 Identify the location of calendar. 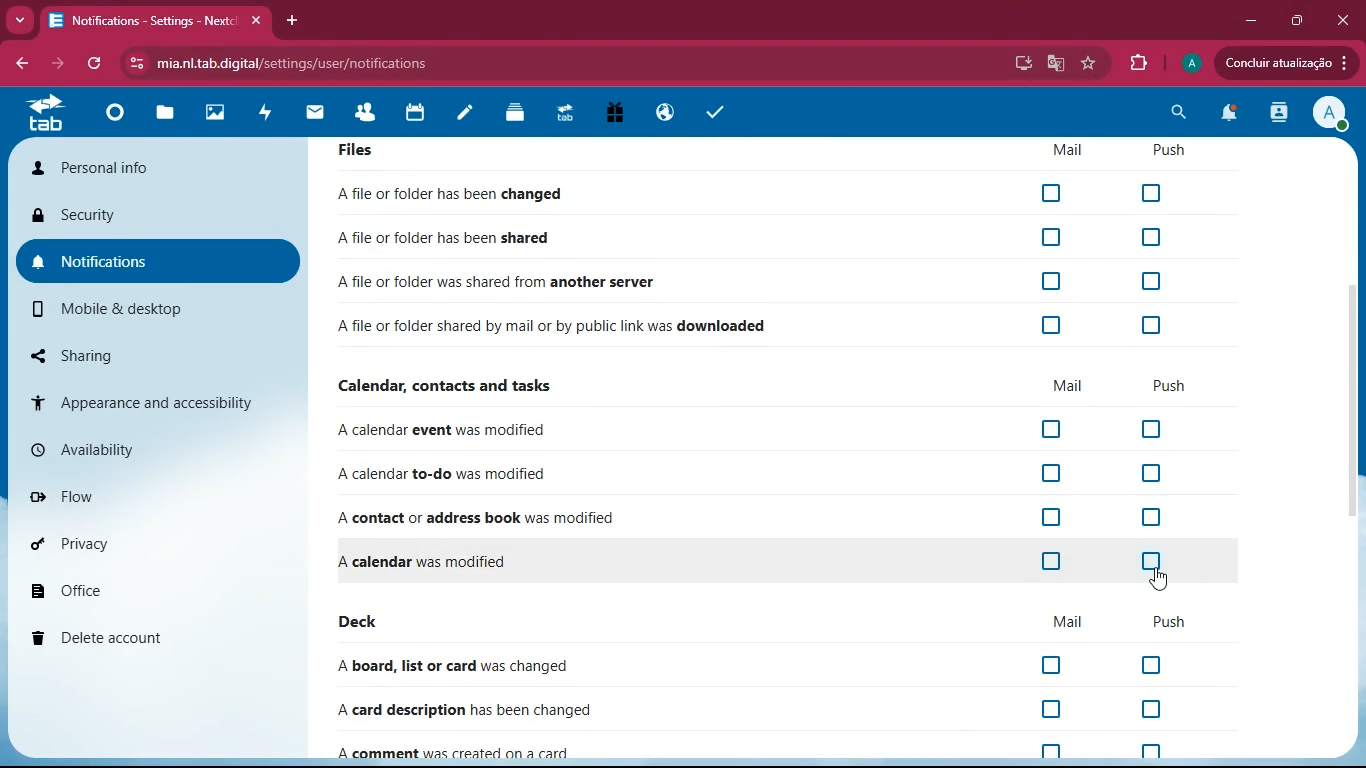
(459, 385).